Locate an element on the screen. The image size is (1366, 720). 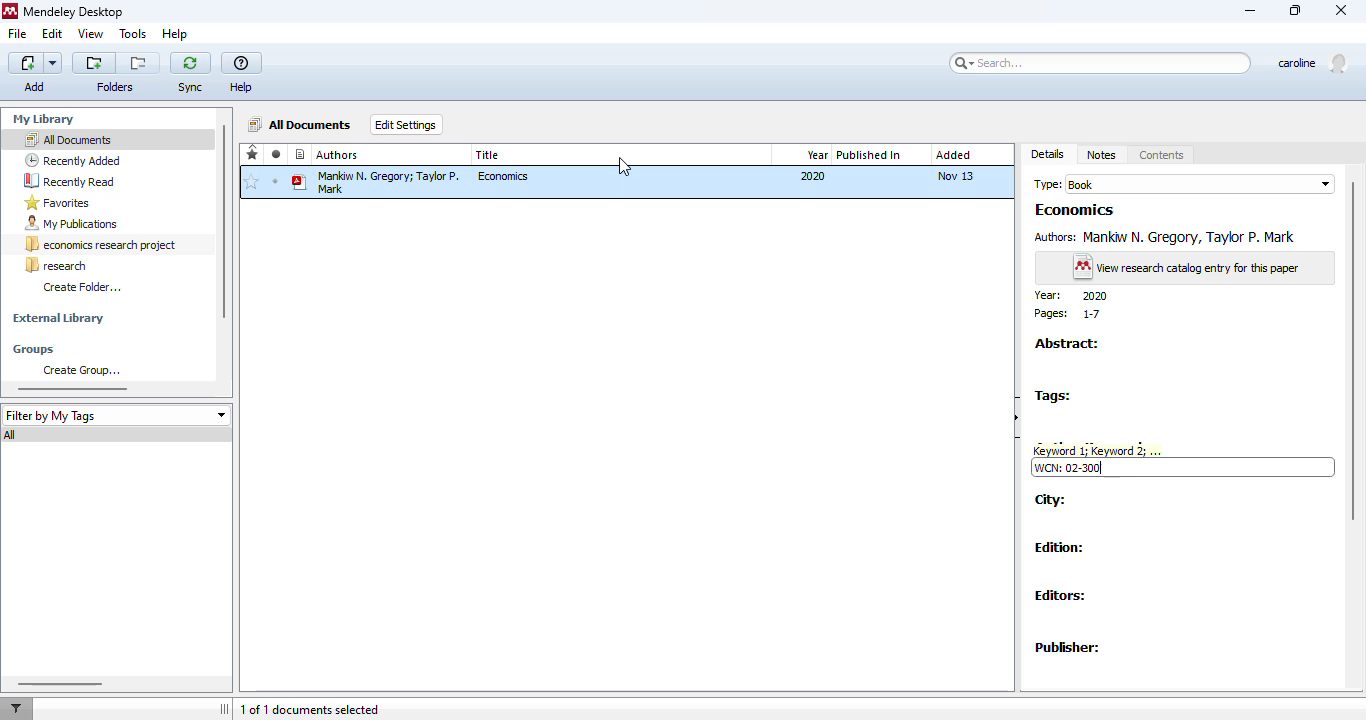
unread is located at coordinates (276, 181).